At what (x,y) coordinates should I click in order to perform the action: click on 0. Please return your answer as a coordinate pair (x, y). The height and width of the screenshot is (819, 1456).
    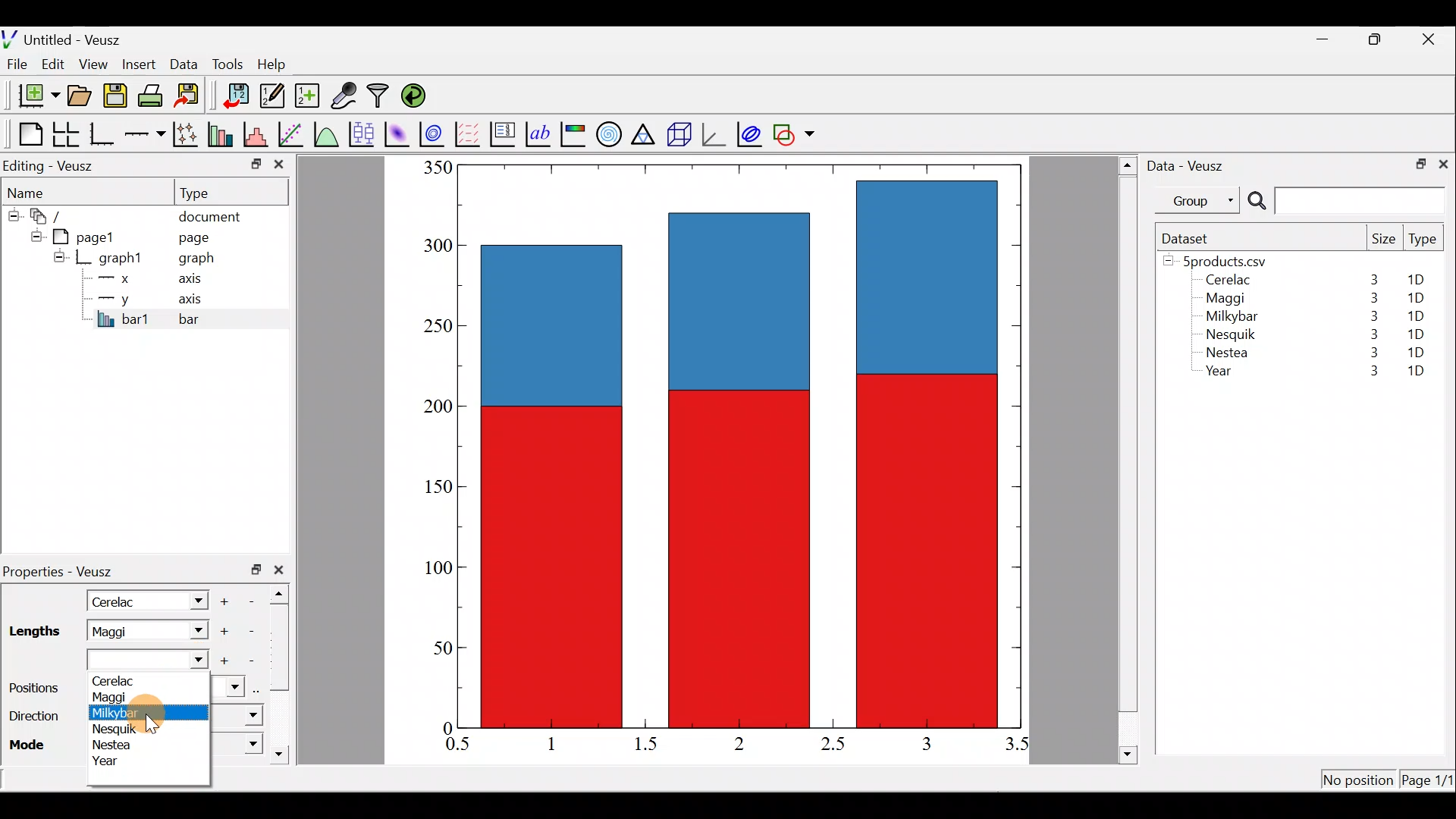
    Looking at the image, I should click on (445, 727).